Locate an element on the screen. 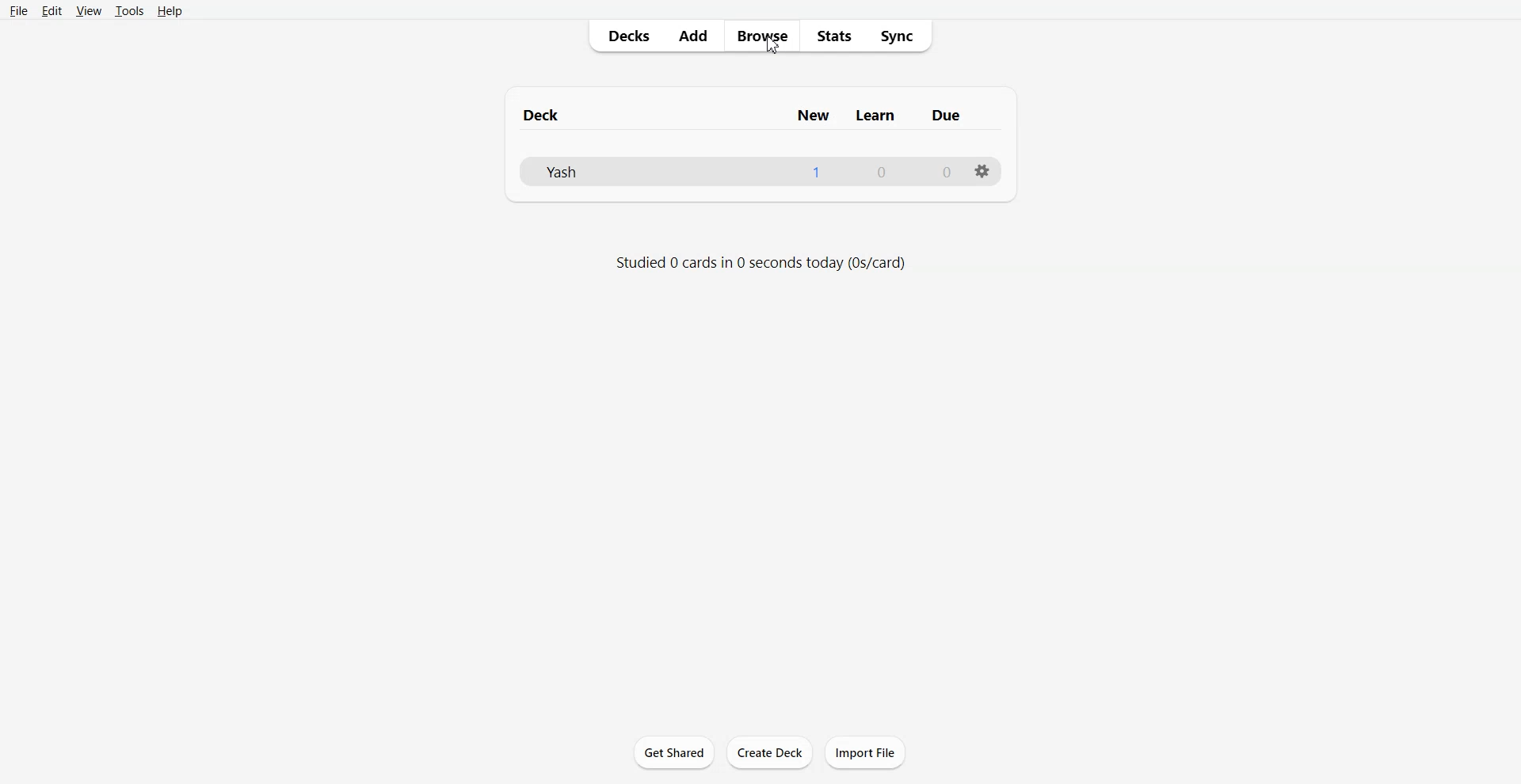 The width and height of the screenshot is (1521, 784). Deck is located at coordinates (644, 117).